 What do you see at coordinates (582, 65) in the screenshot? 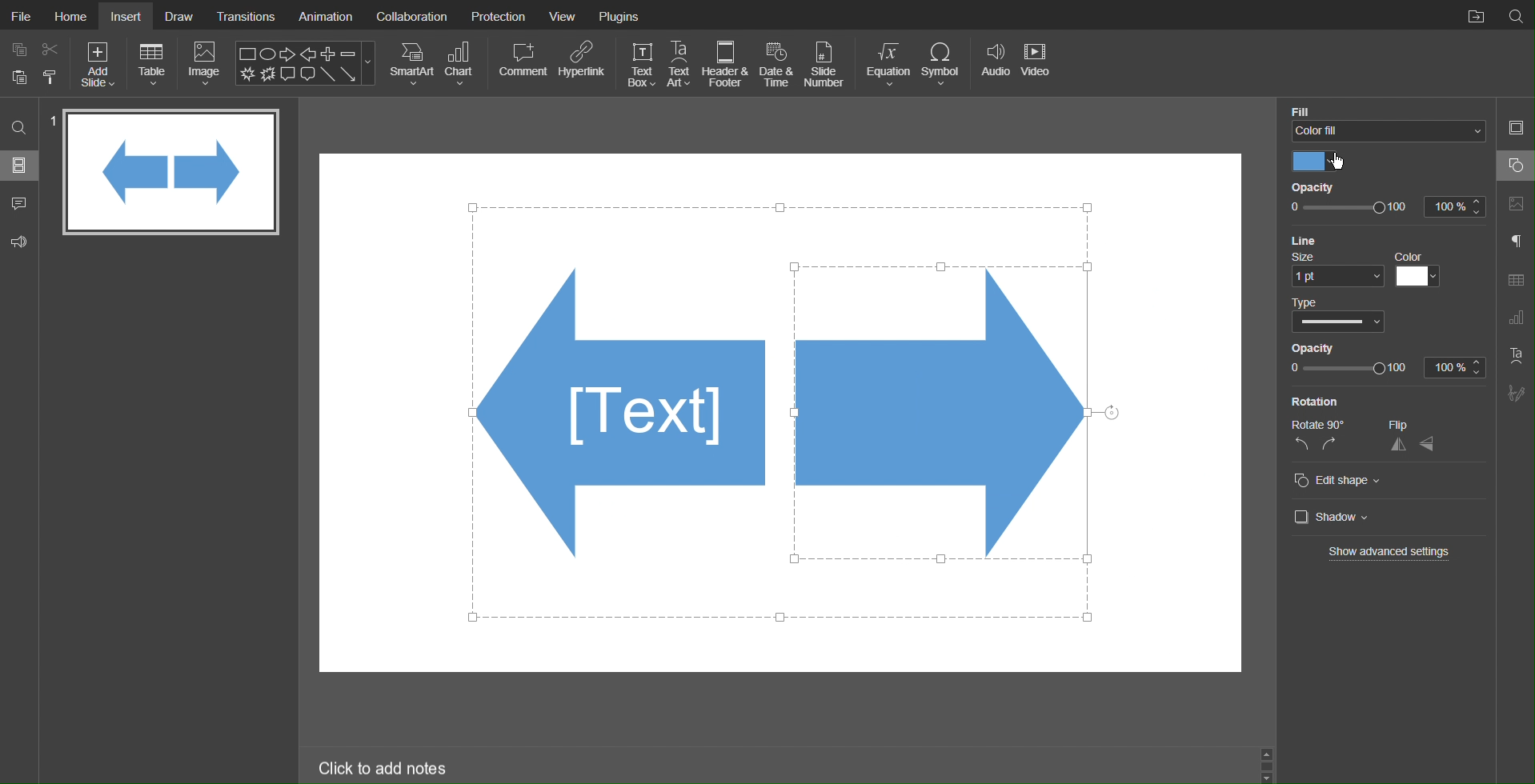
I see `Hyperlink` at bounding box center [582, 65].